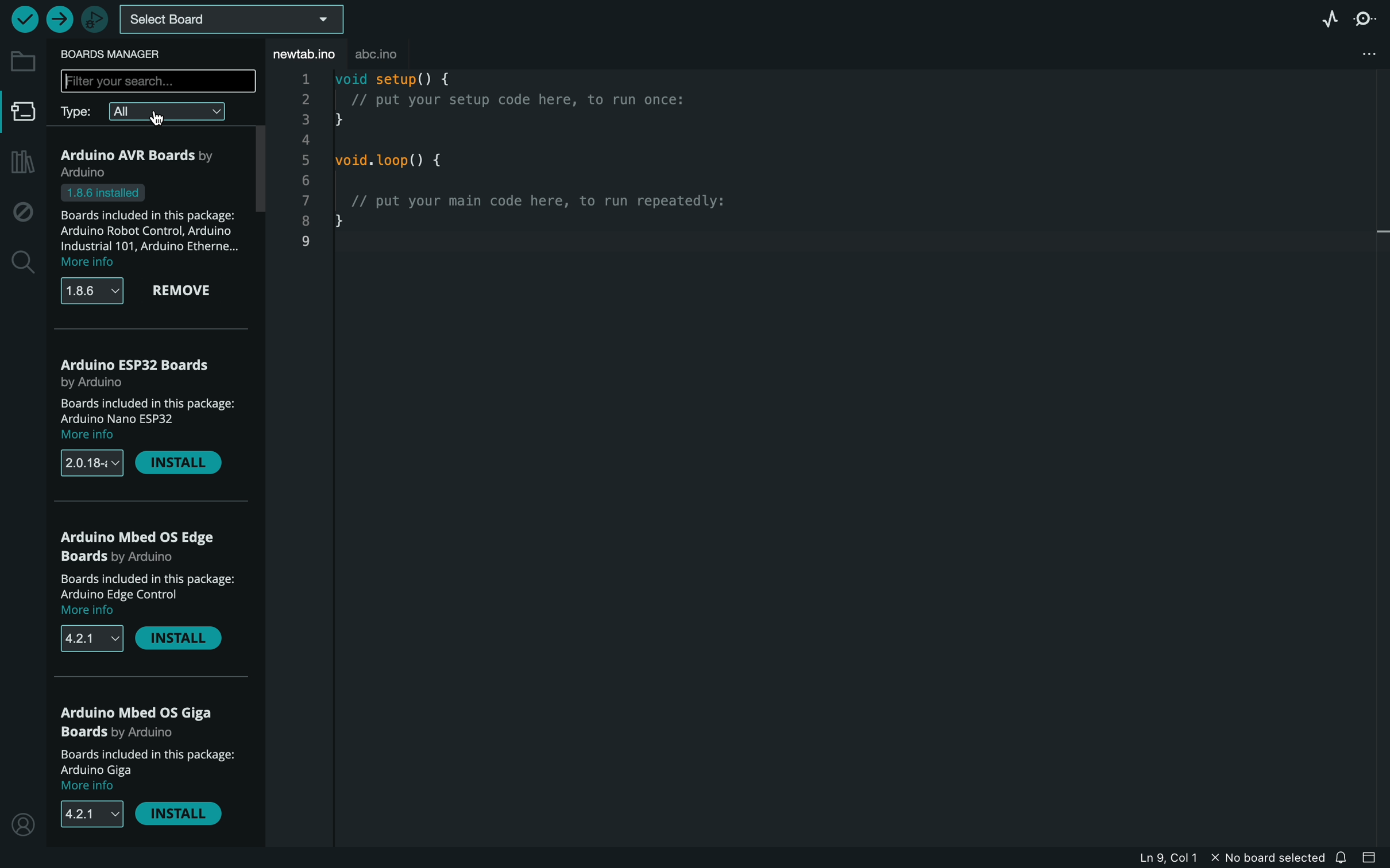  Describe the element at coordinates (230, 21) in the screenshot. I see `board selecter` at that location.